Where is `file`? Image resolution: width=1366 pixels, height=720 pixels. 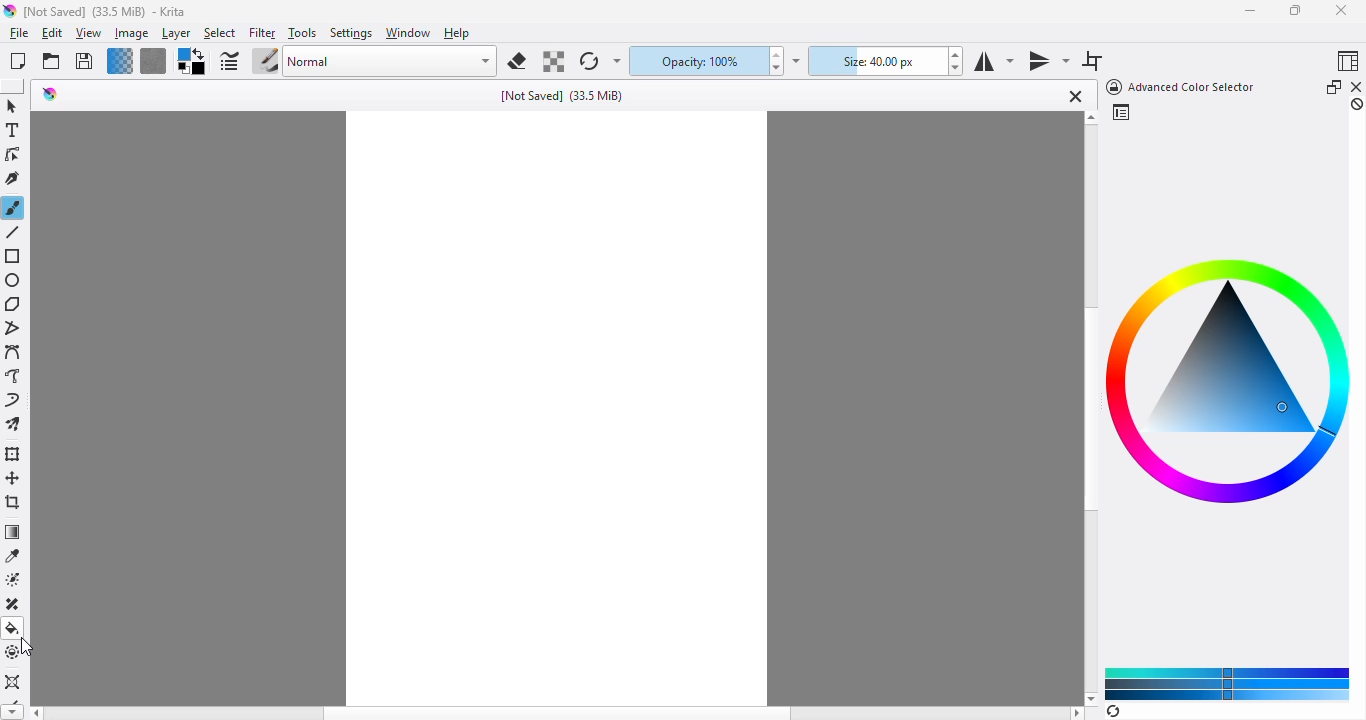
file is located at coordinates (19, 33).